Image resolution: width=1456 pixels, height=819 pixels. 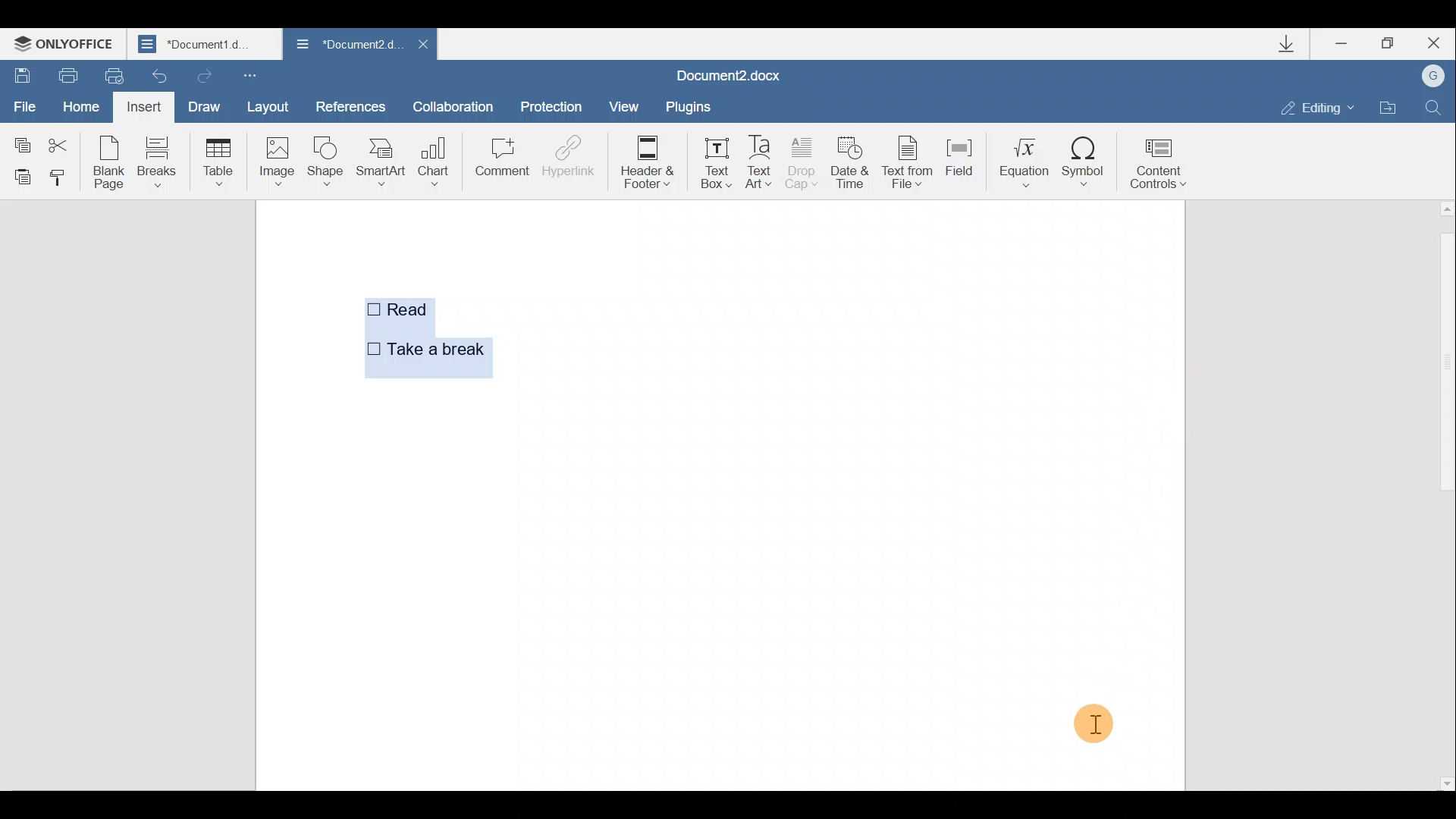 I want to click on Cut, so click(x=63, y=140).